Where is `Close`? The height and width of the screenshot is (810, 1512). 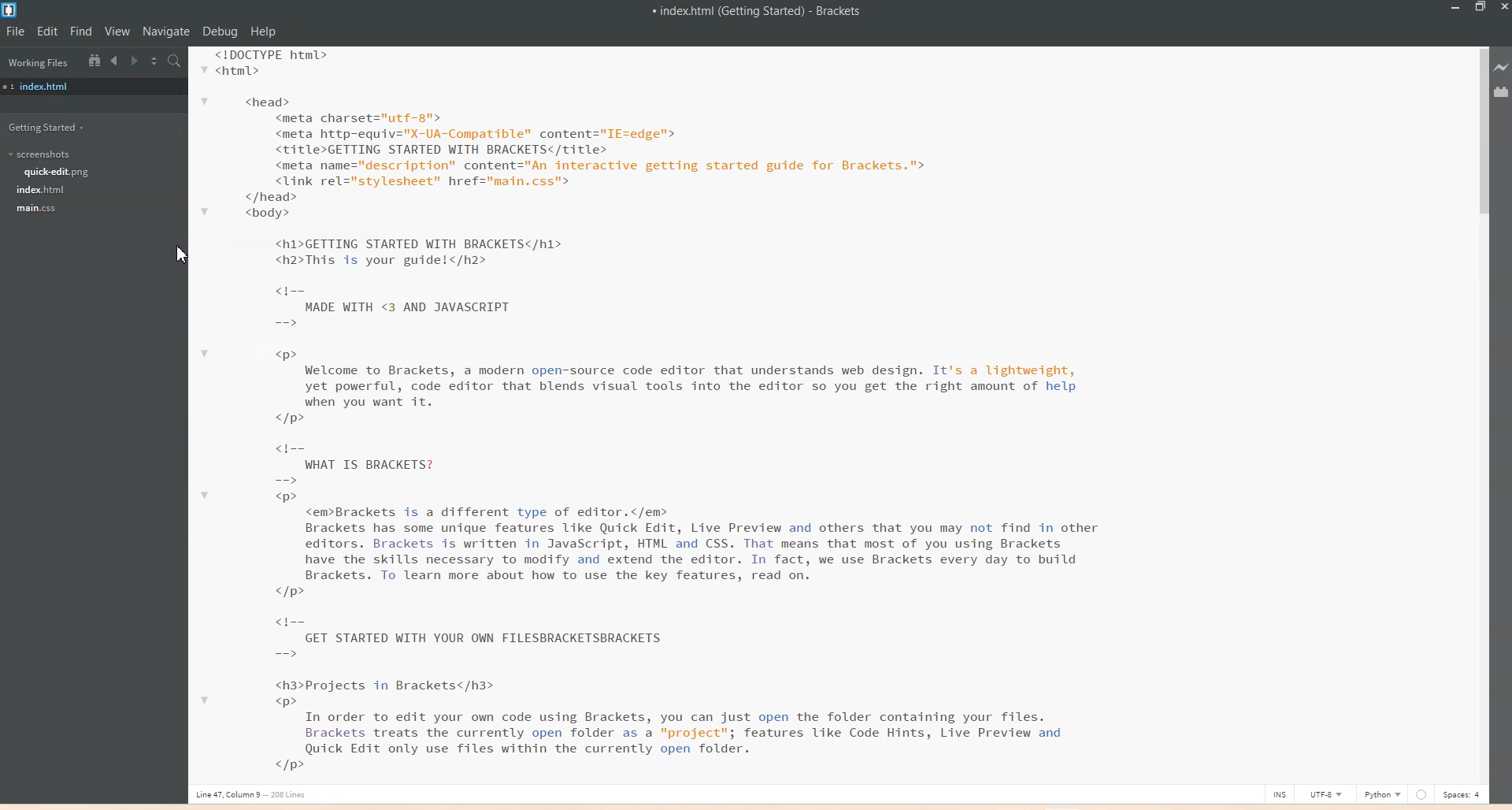
Close is located at coordinates (1503, 8).